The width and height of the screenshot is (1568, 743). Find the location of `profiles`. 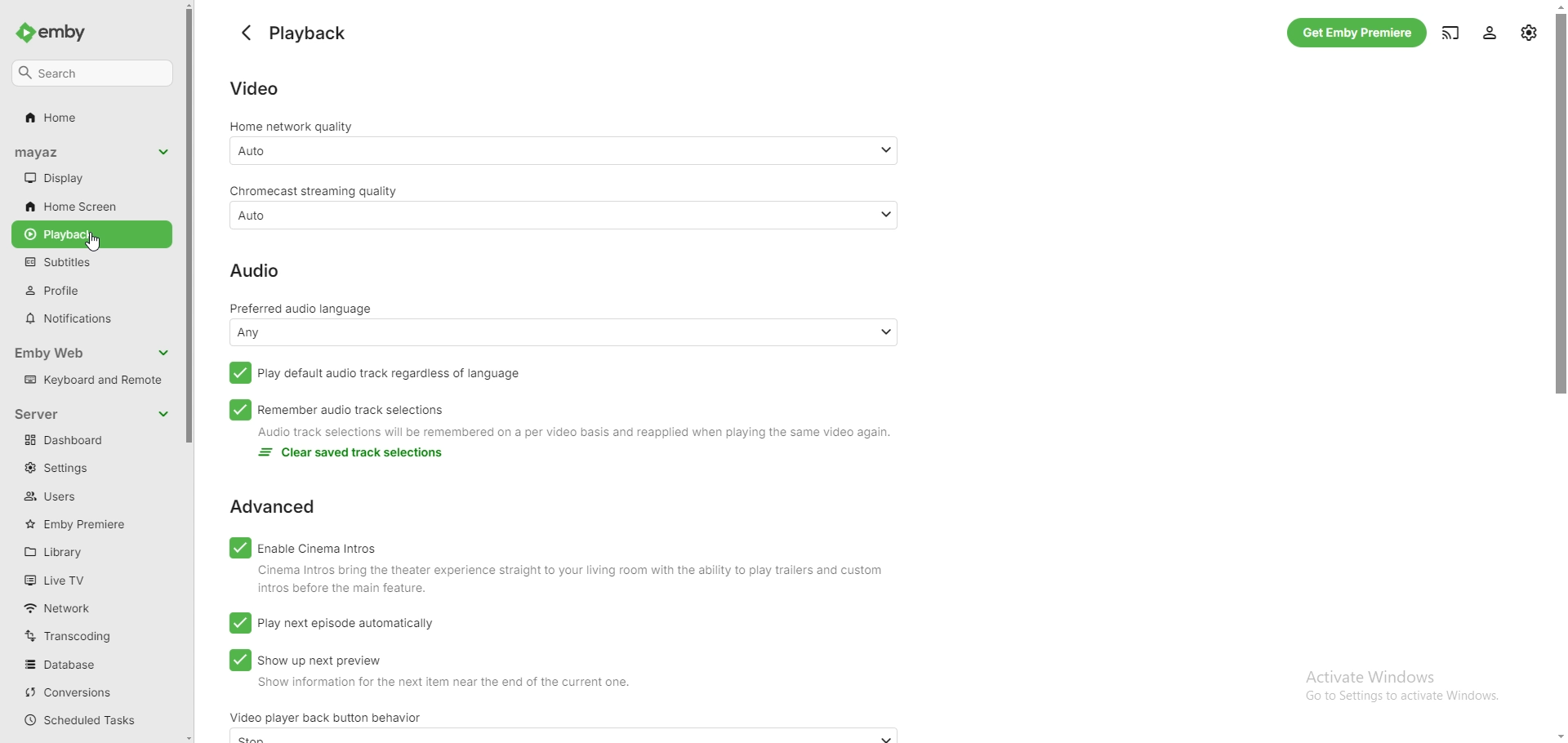

profiles is located at coordinates (88, 290).